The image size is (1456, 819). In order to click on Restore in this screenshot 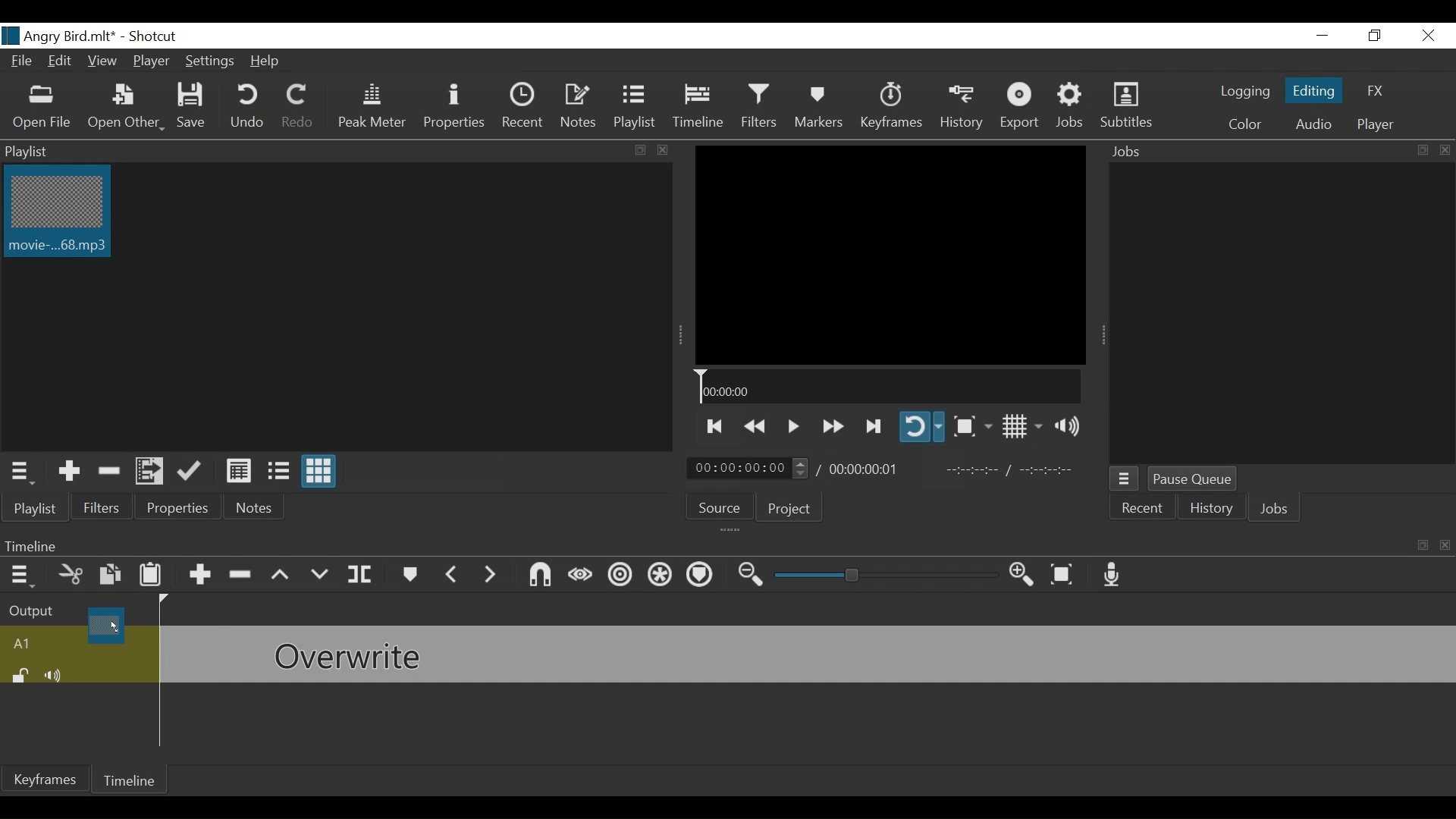, I will do `click(1375, 36)`.